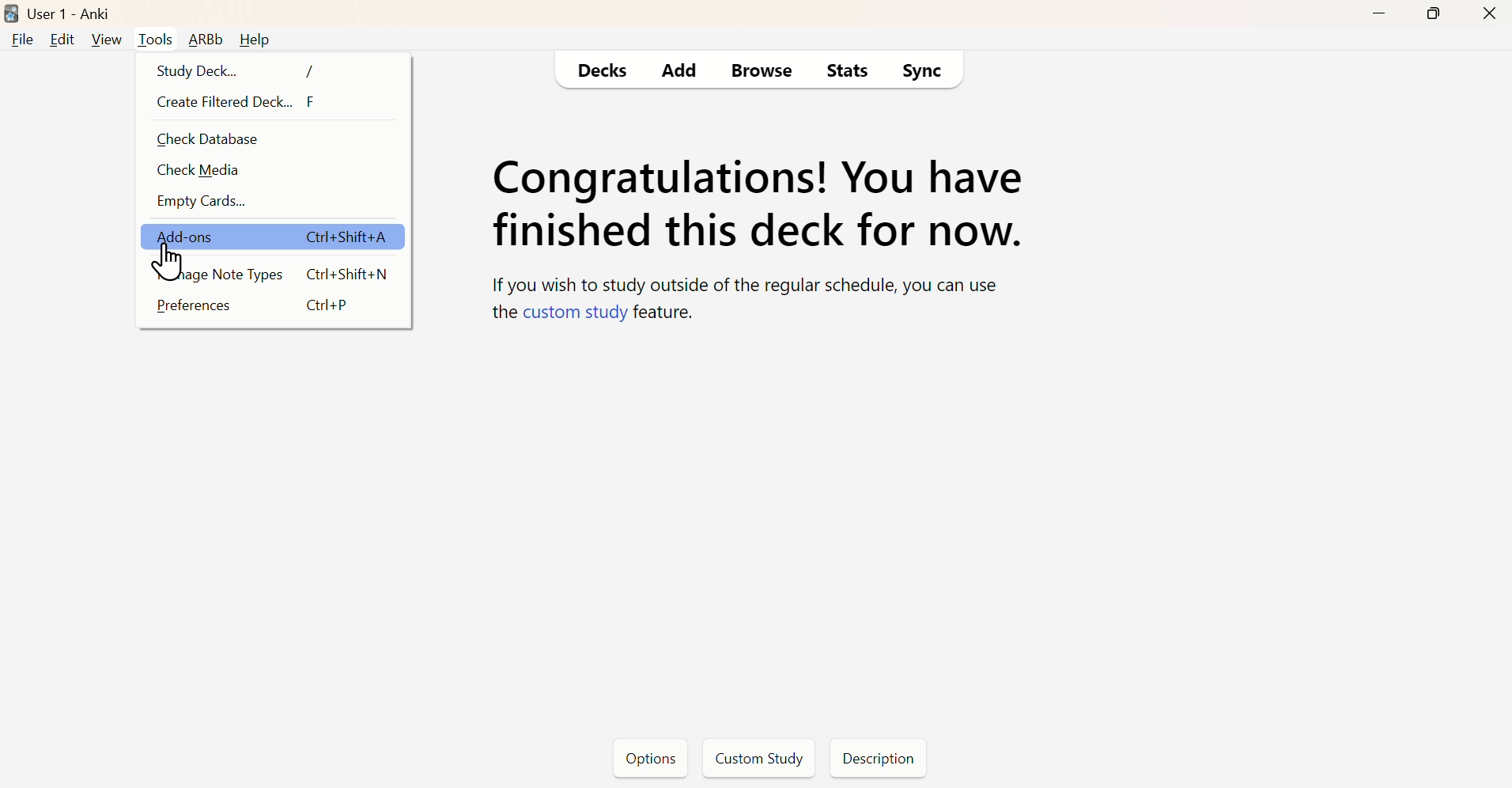  I want to click on Deck Status, so click(752, 244).